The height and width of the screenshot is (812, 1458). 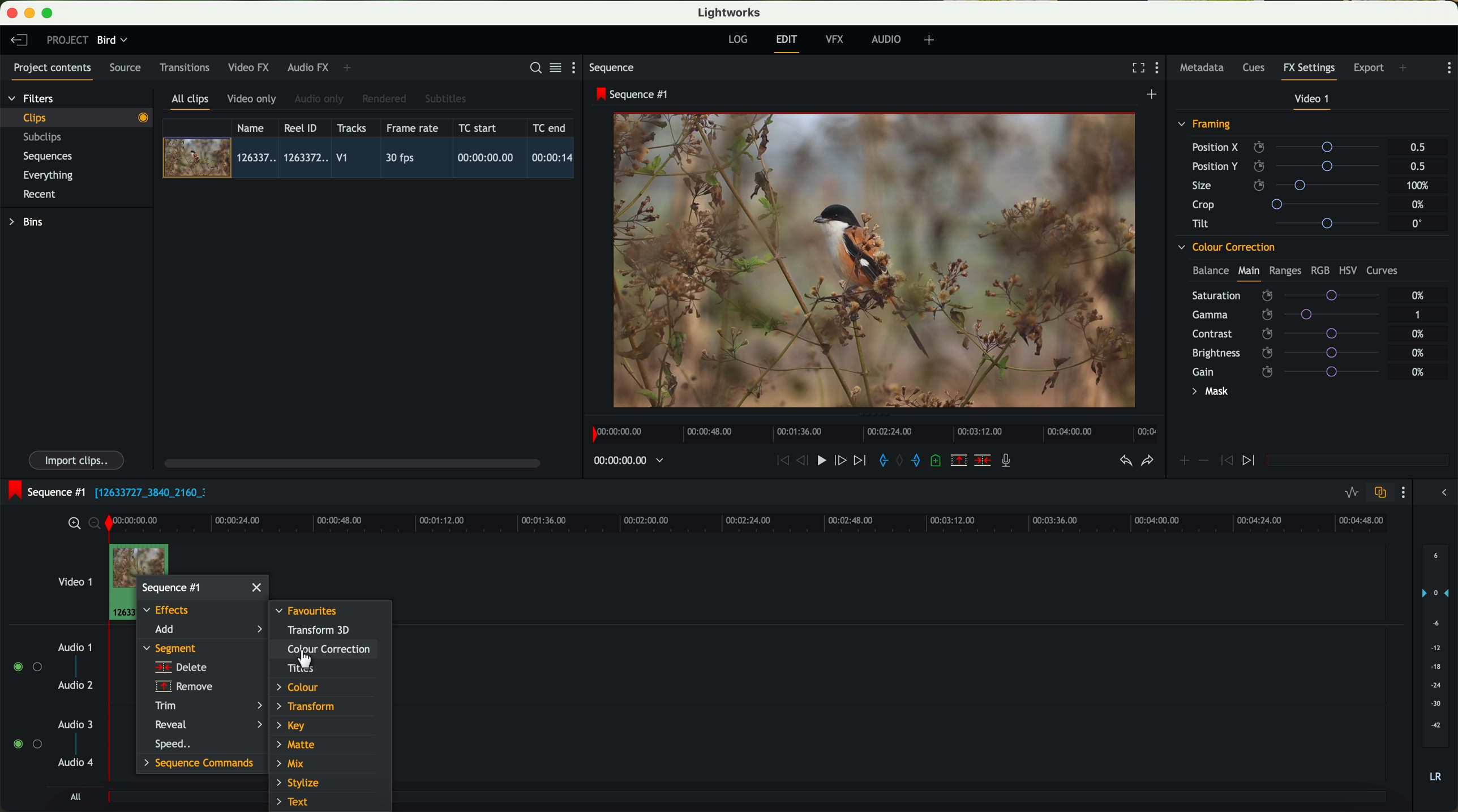 What do you see at coordinates (1293, 353) in the screenshot?
I see `brightness` at bounding box center [1293, 353].